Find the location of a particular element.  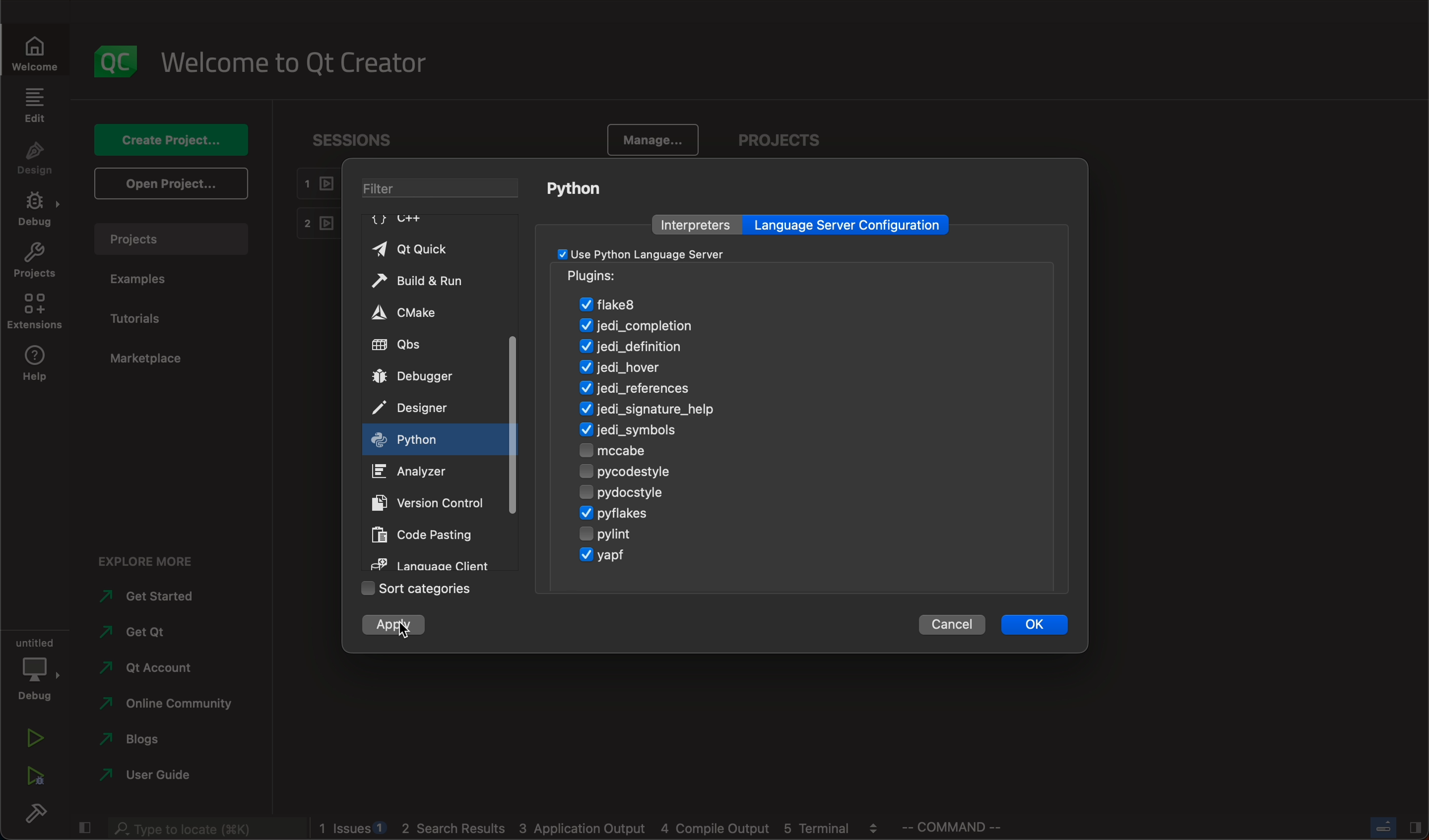

help is located at coordinates (33, 363).